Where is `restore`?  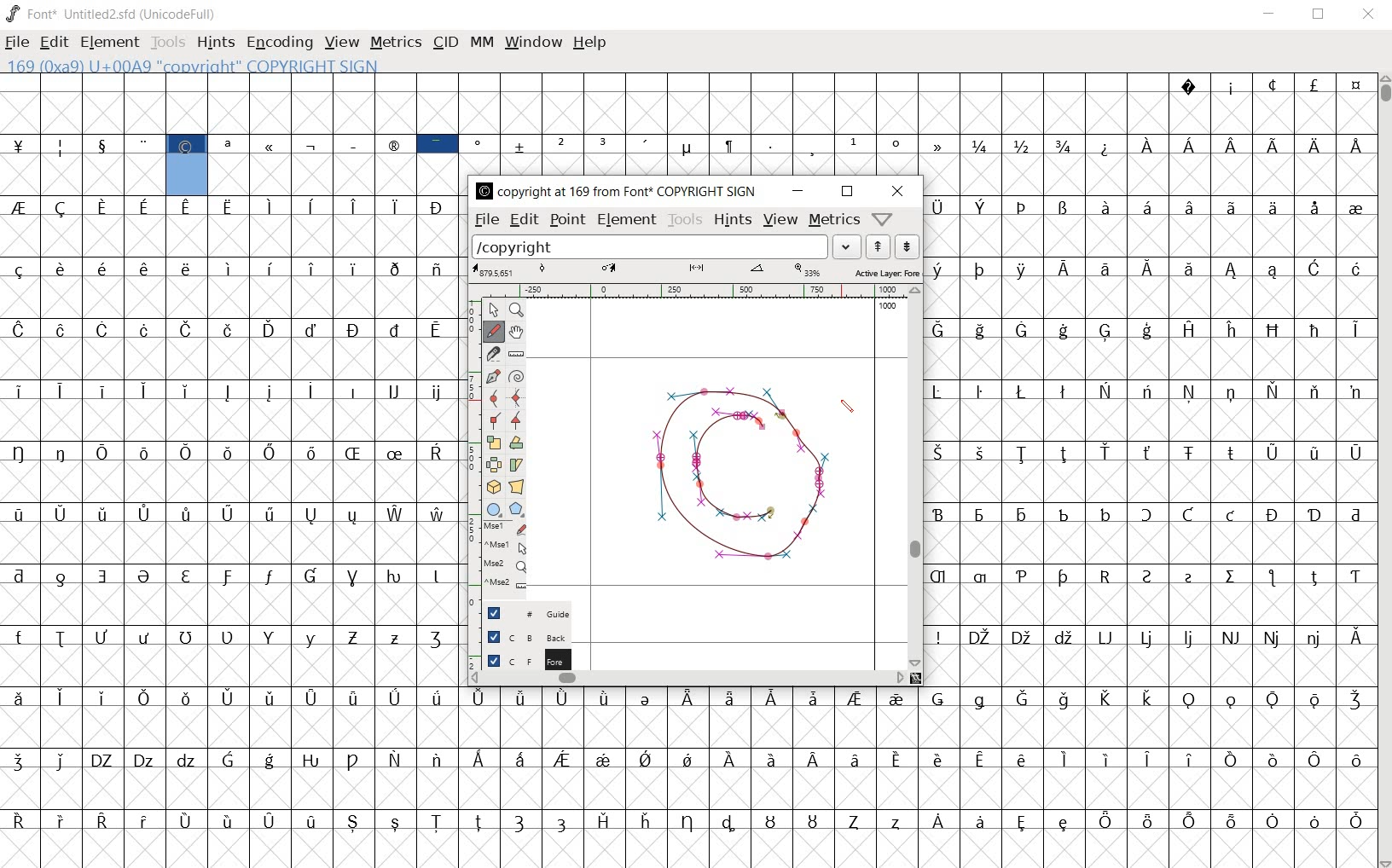
restore is located at coordinates (1320, 14).